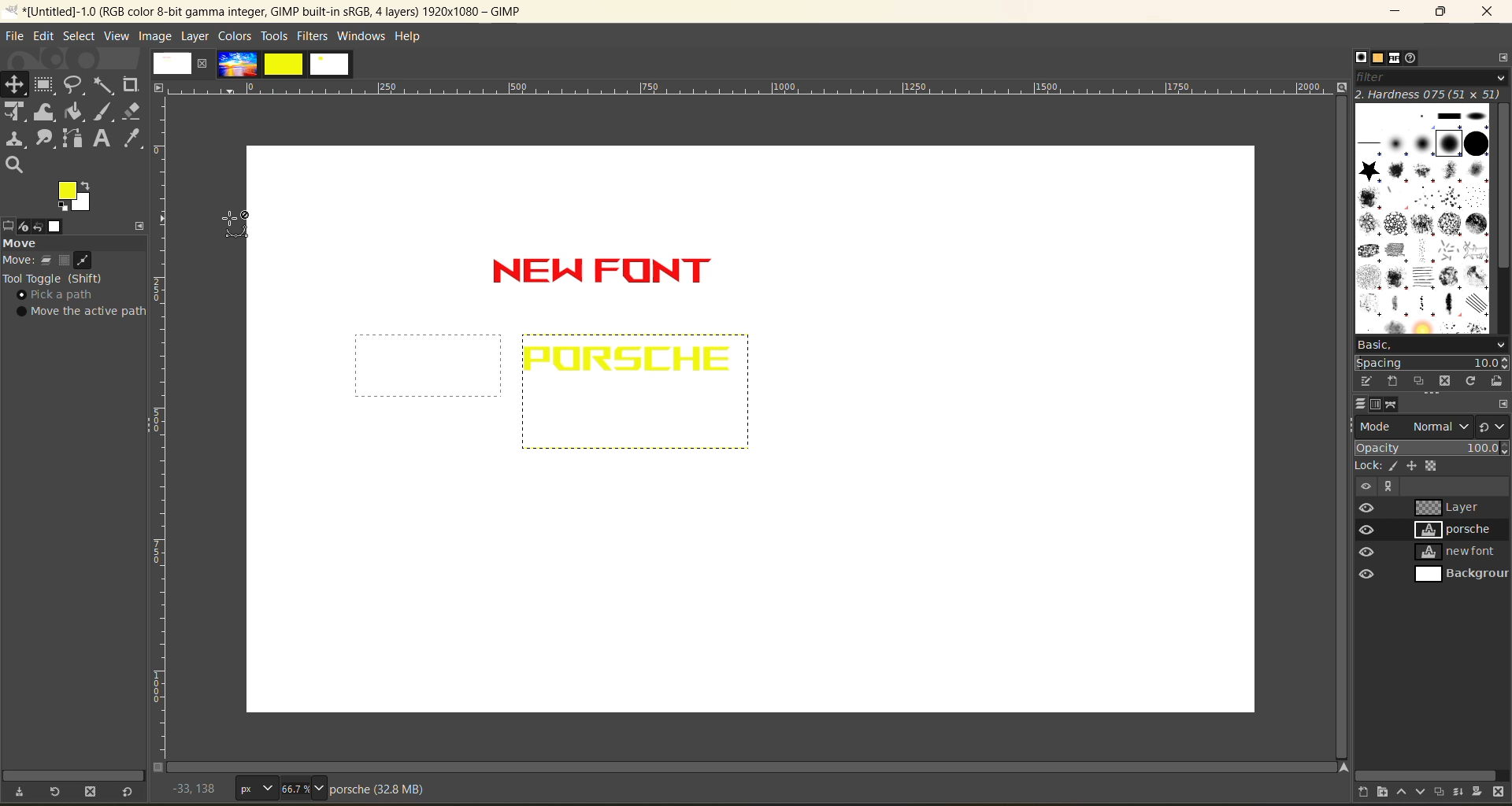 The image size is (1512, 806). What do you see at coordinates (1431, 76) in the screenshot?
I see `filter` at bounding box center [1431, 76].